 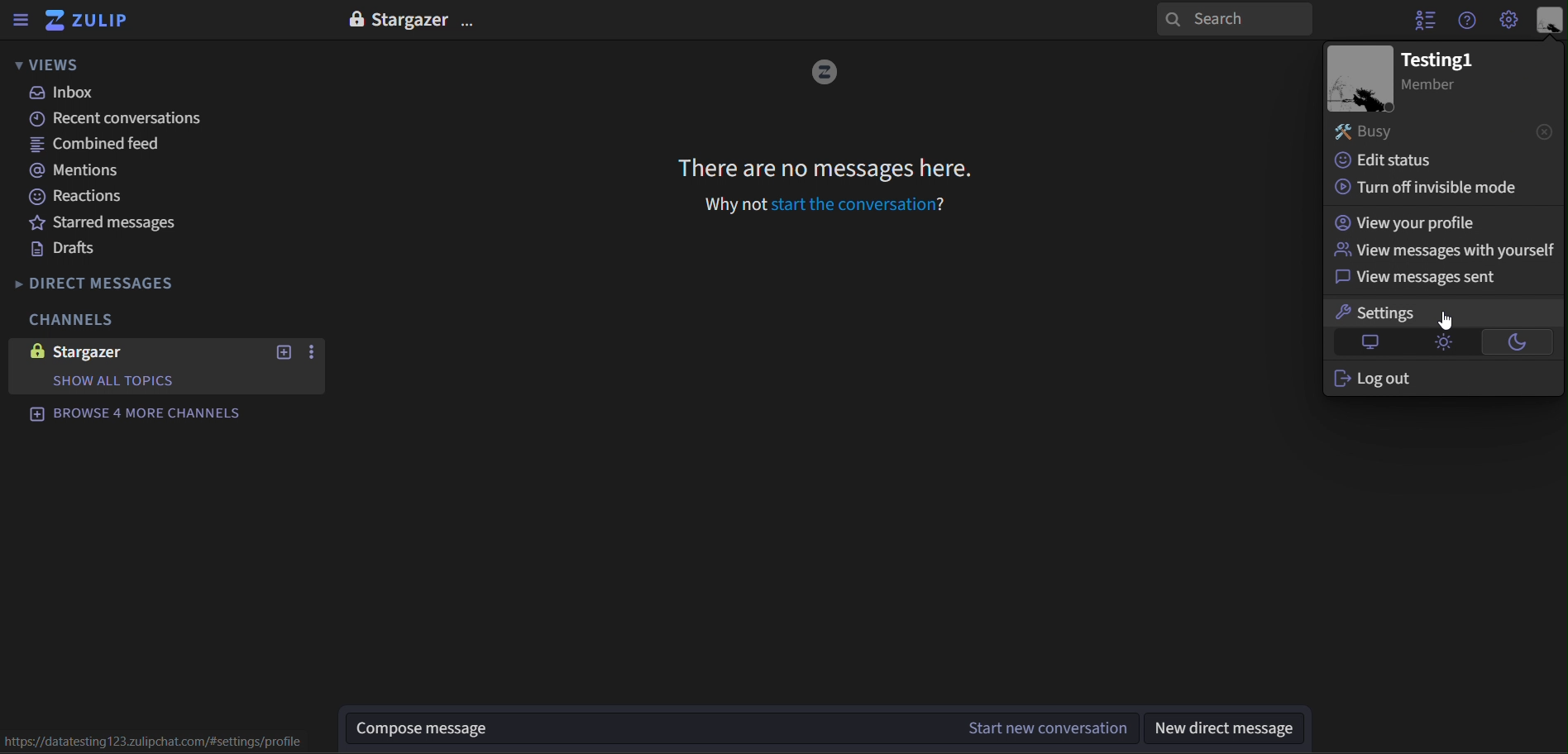 I want to click on options, so click(x=473, y=17).